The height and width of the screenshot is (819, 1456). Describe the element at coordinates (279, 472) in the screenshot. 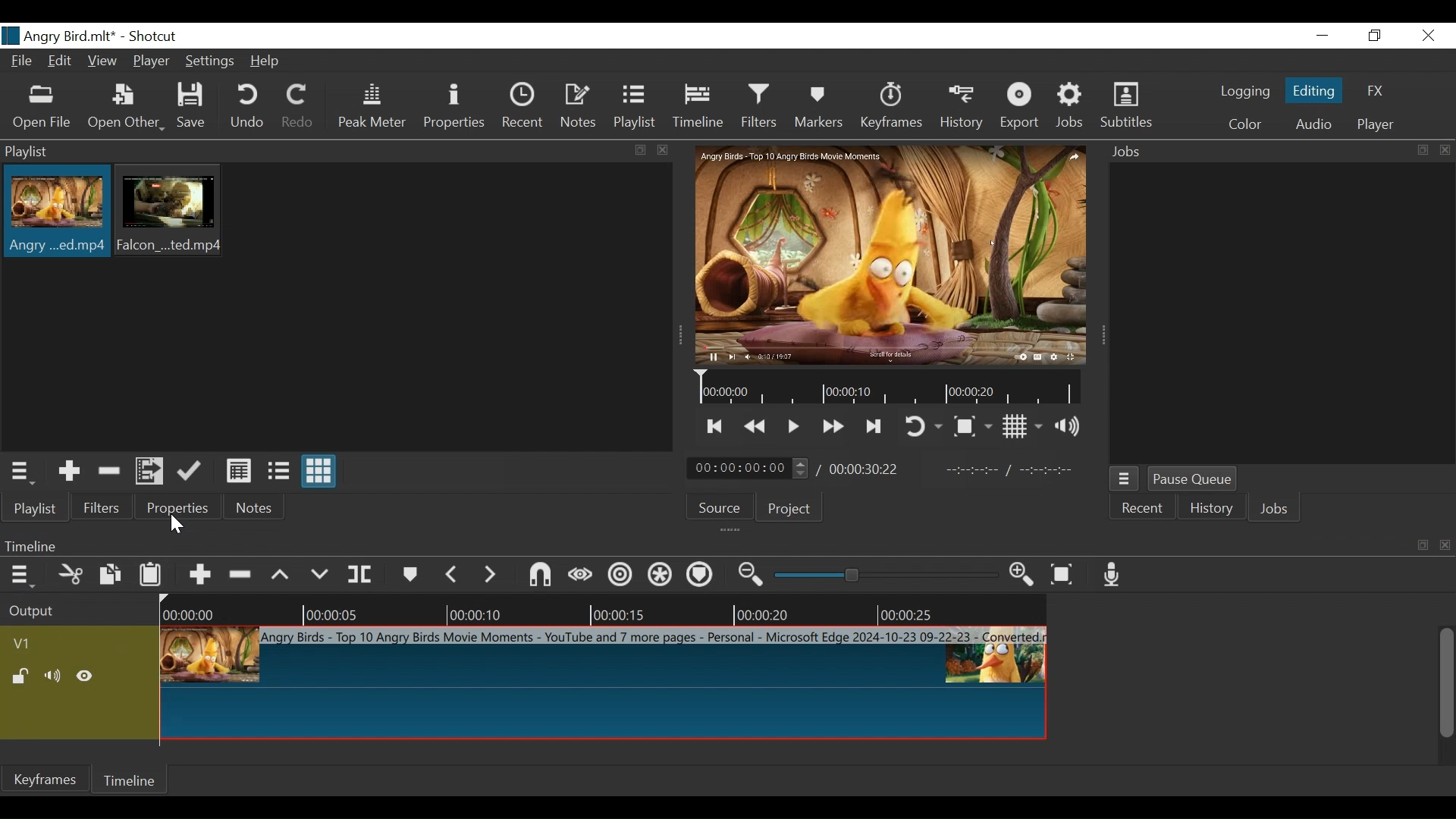

I see `View as files` at that location.